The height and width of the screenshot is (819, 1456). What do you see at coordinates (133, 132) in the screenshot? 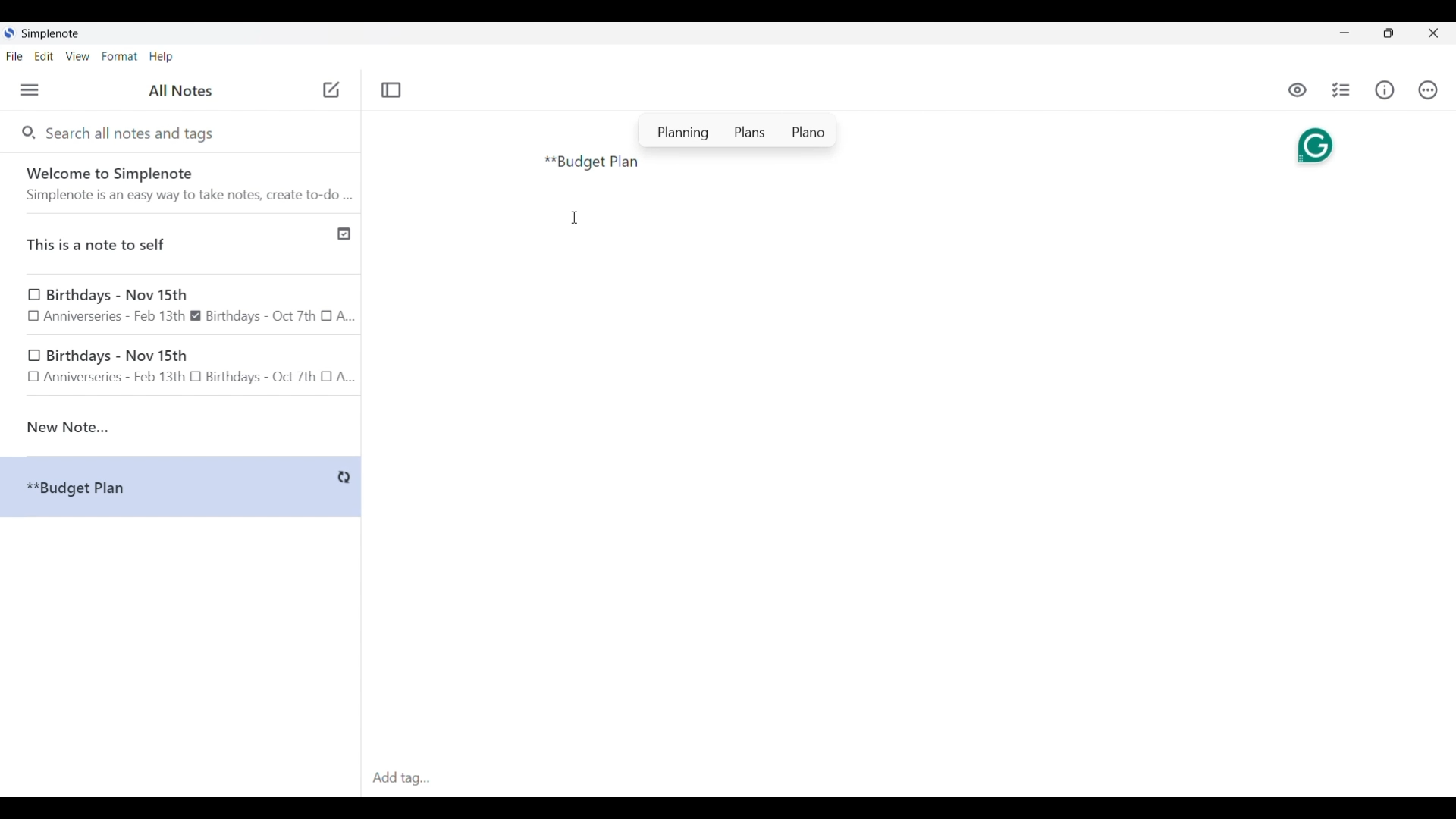
I see `Search all notes and tags` at bounding box center [133, 132].